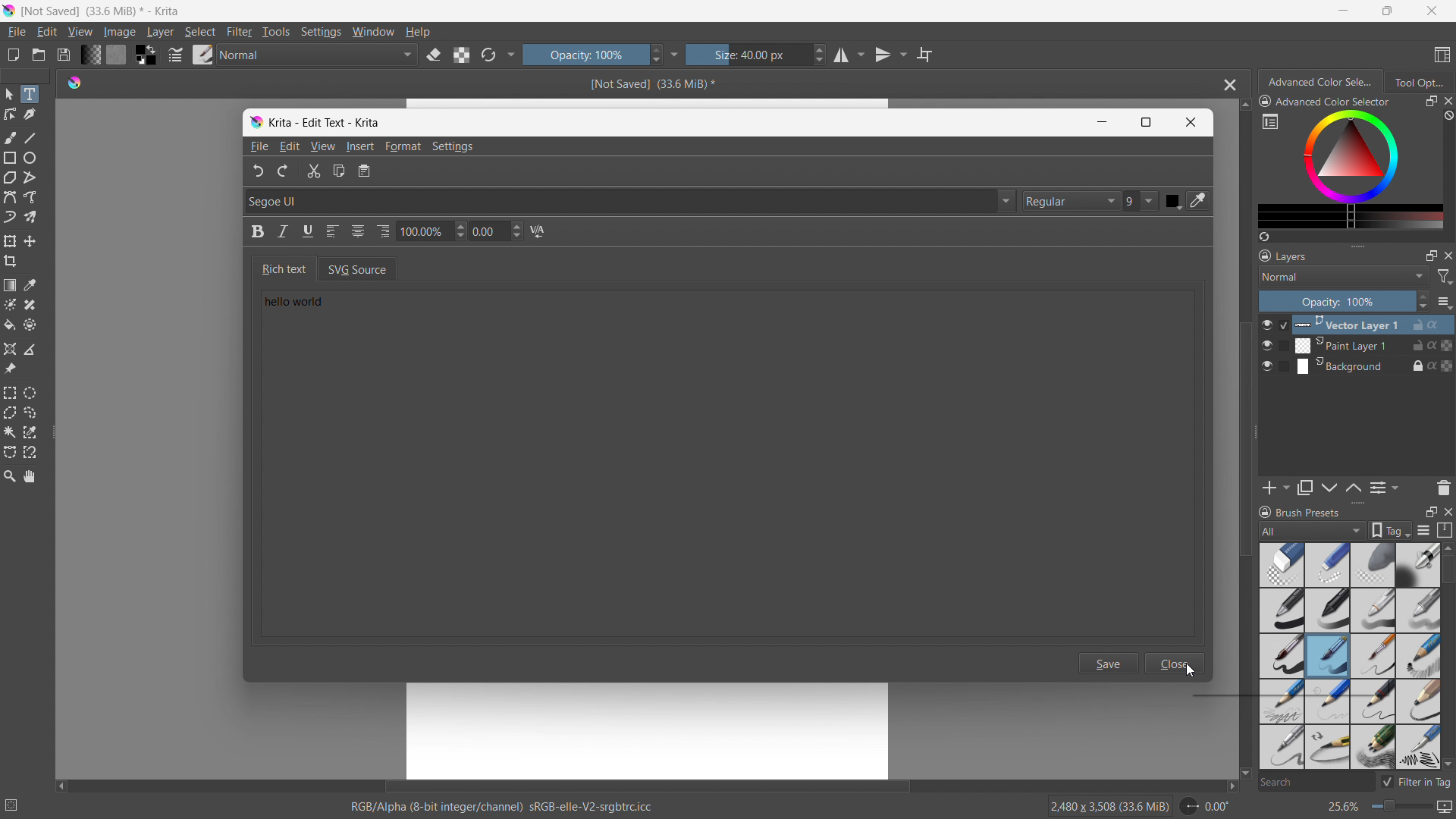 The width and height of the screenshot is (1456, 819). Describe the element at coordinates (16, 32) in the screenshot. I see `file` at that location.